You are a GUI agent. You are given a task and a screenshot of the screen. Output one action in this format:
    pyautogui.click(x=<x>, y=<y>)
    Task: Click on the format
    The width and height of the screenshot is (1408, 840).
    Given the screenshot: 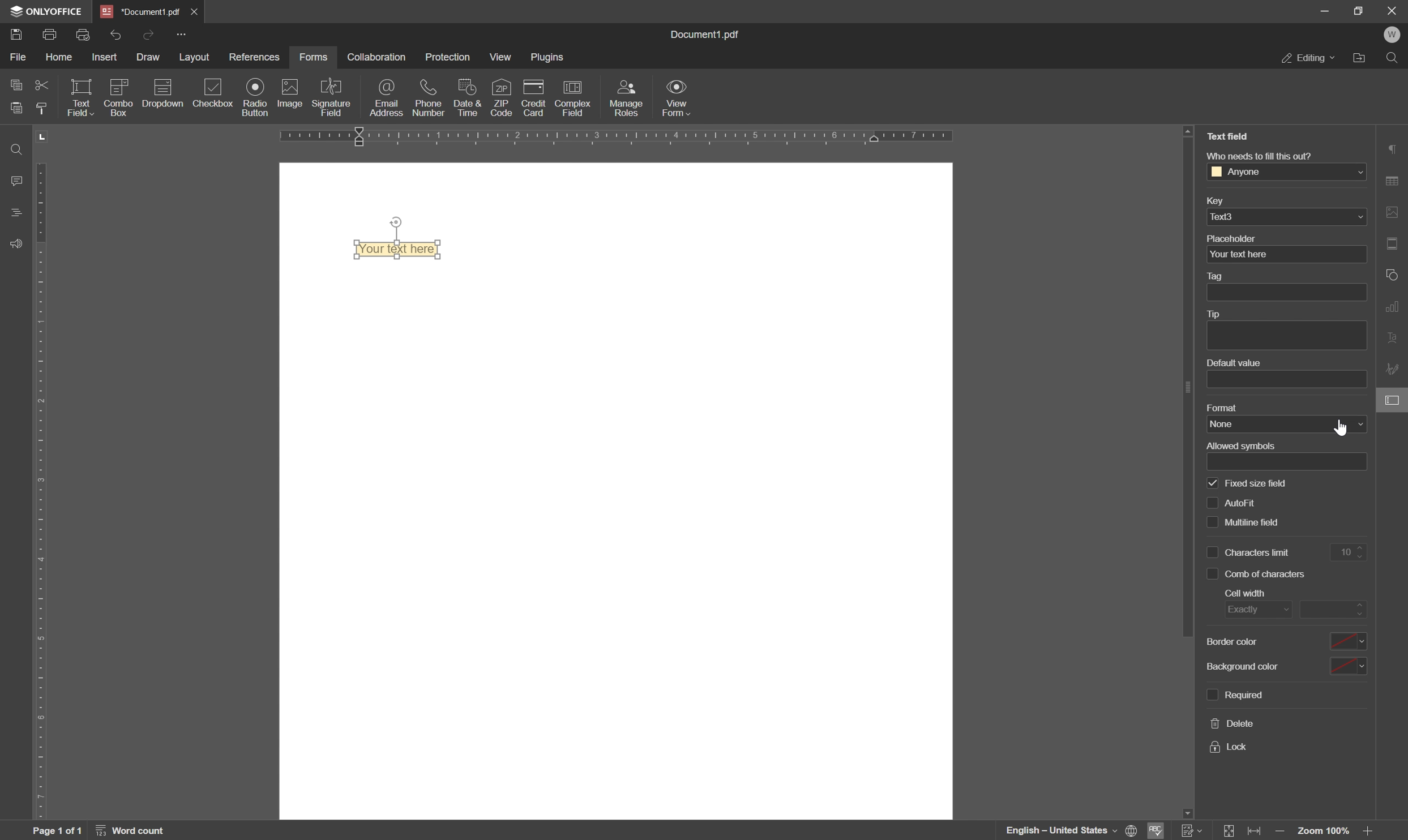 What is the action you would take?
    pyautogui.click(x=1221, y=406)
    